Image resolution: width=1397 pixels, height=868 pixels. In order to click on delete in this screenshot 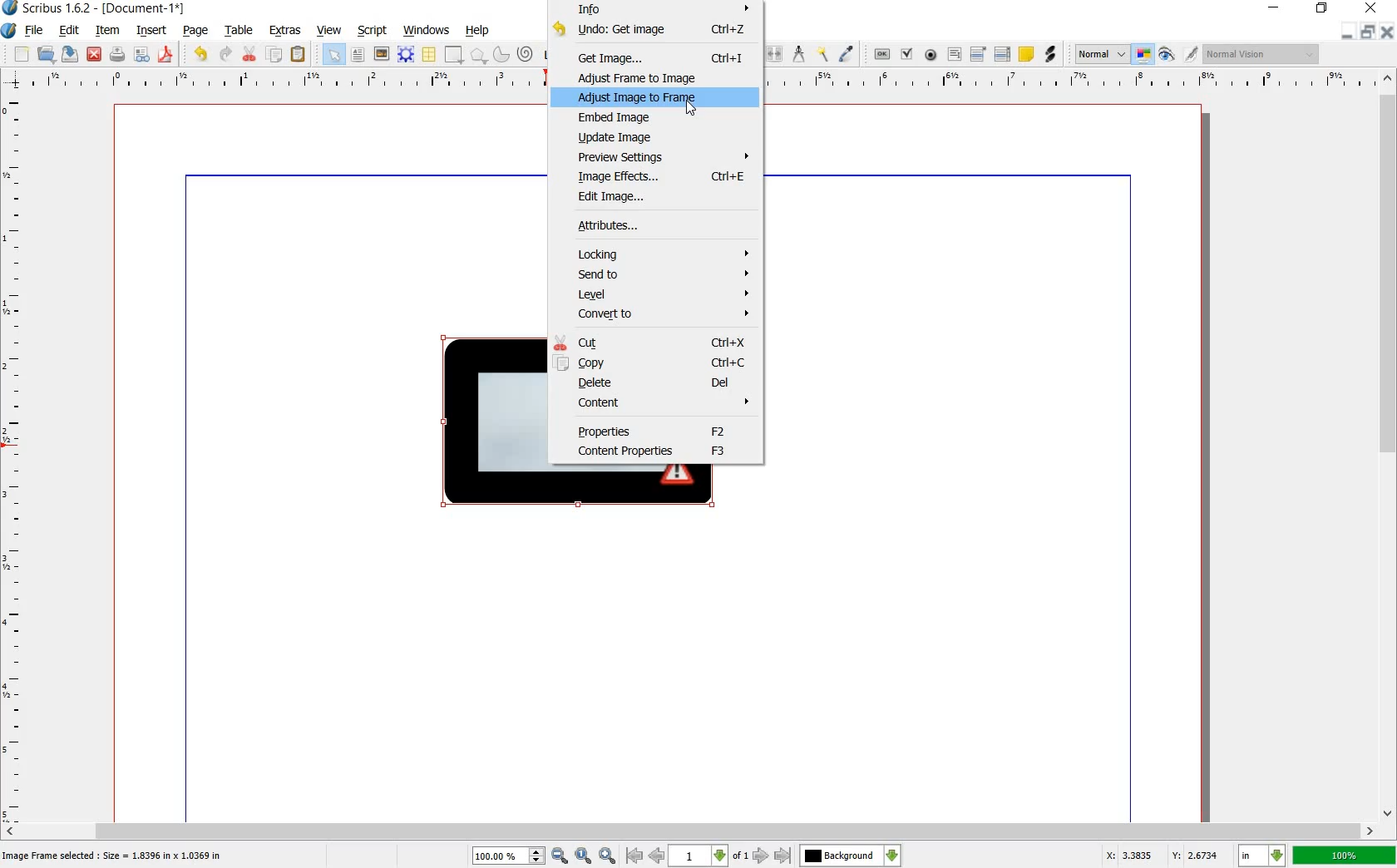, I will do `click(657, 382)`.